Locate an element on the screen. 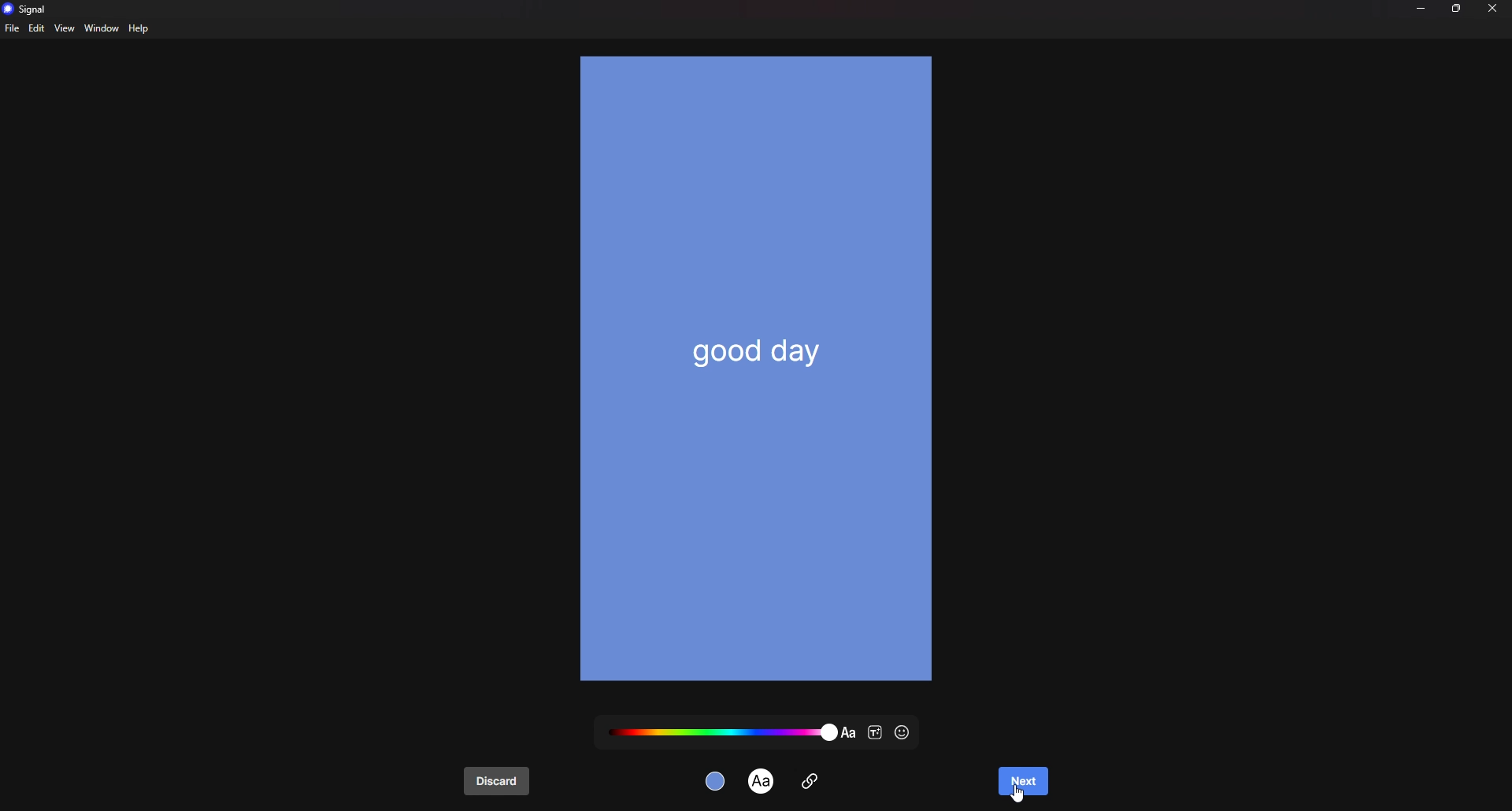 Image resolution: width=1512 pixels, height=811 pixels. resize is located at coordinates (1458, 8).